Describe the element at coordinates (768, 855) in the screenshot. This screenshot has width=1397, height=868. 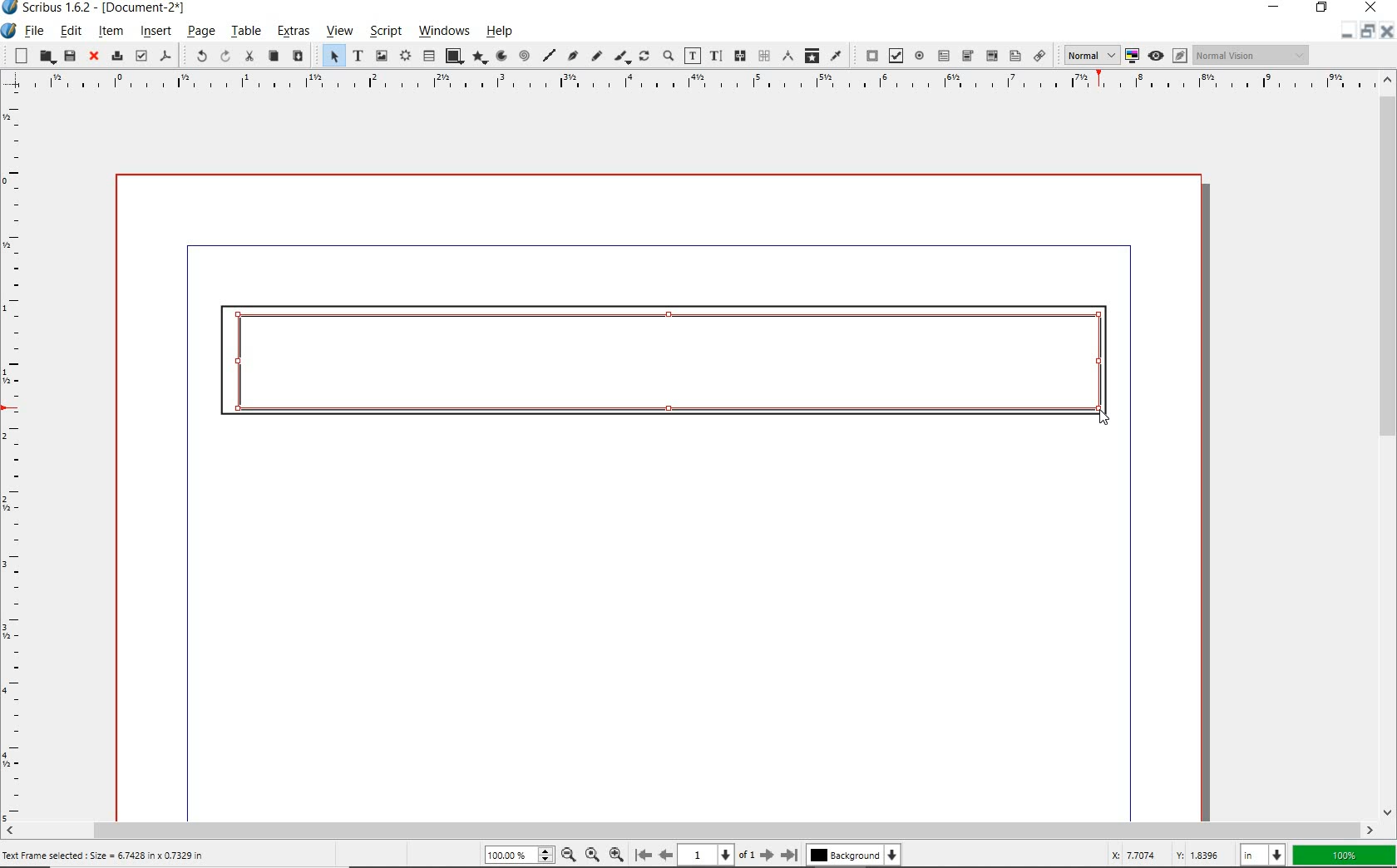
I see `move to next` at that location.